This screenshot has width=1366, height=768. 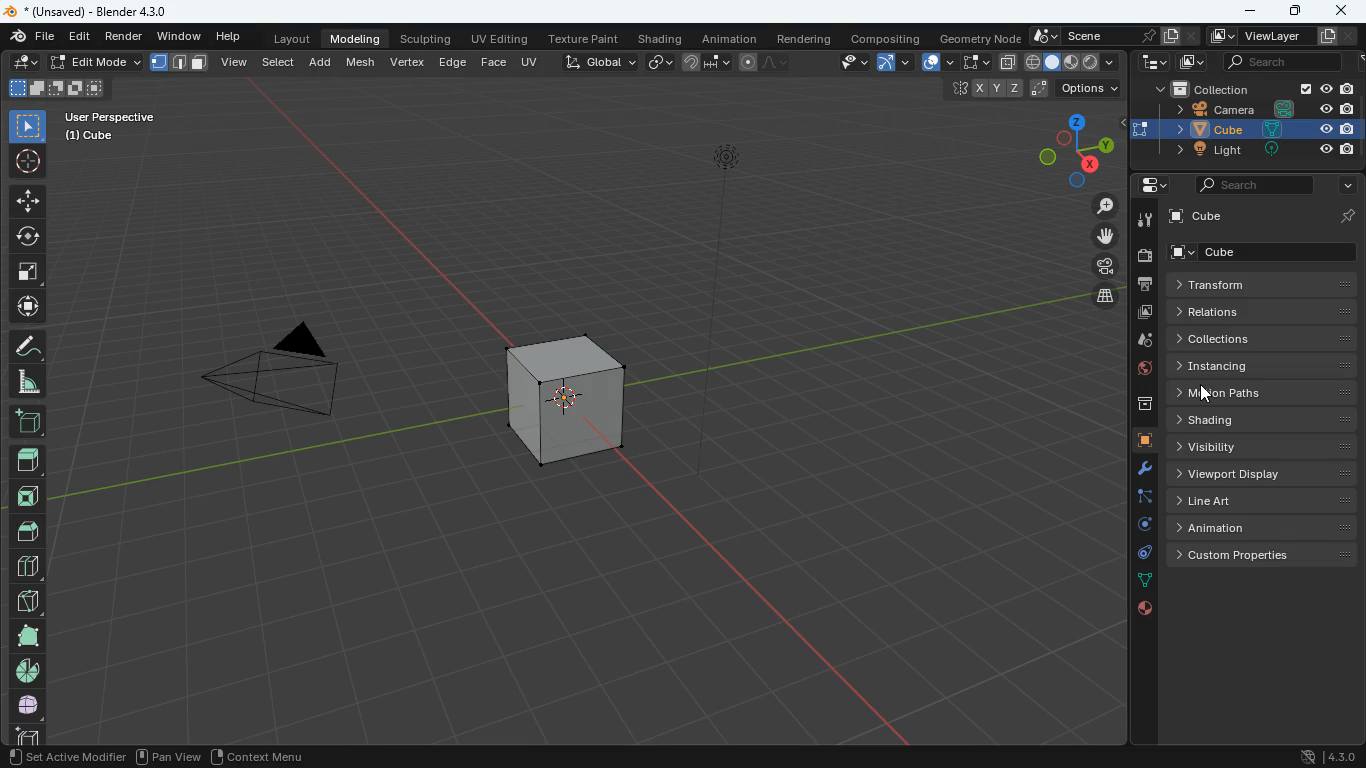 What do you see at coordinates (1100, 268) in the screenshot?
I see `film` at bounding box center [1100, 268].